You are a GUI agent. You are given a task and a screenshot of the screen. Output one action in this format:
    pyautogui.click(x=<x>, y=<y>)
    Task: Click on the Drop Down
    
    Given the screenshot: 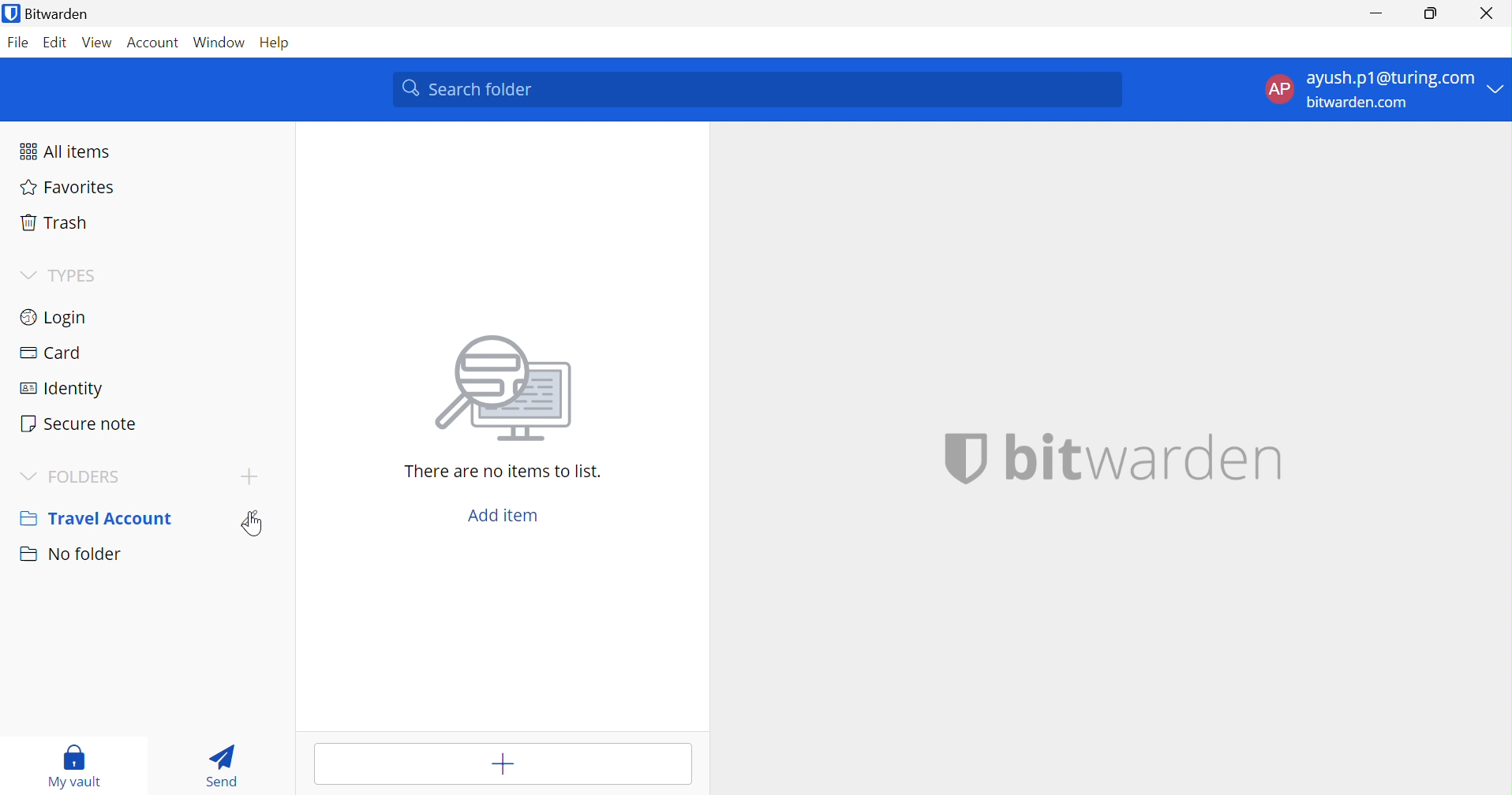 What is the action you would take?
    pyautogui.click(x=29, y=474)
    